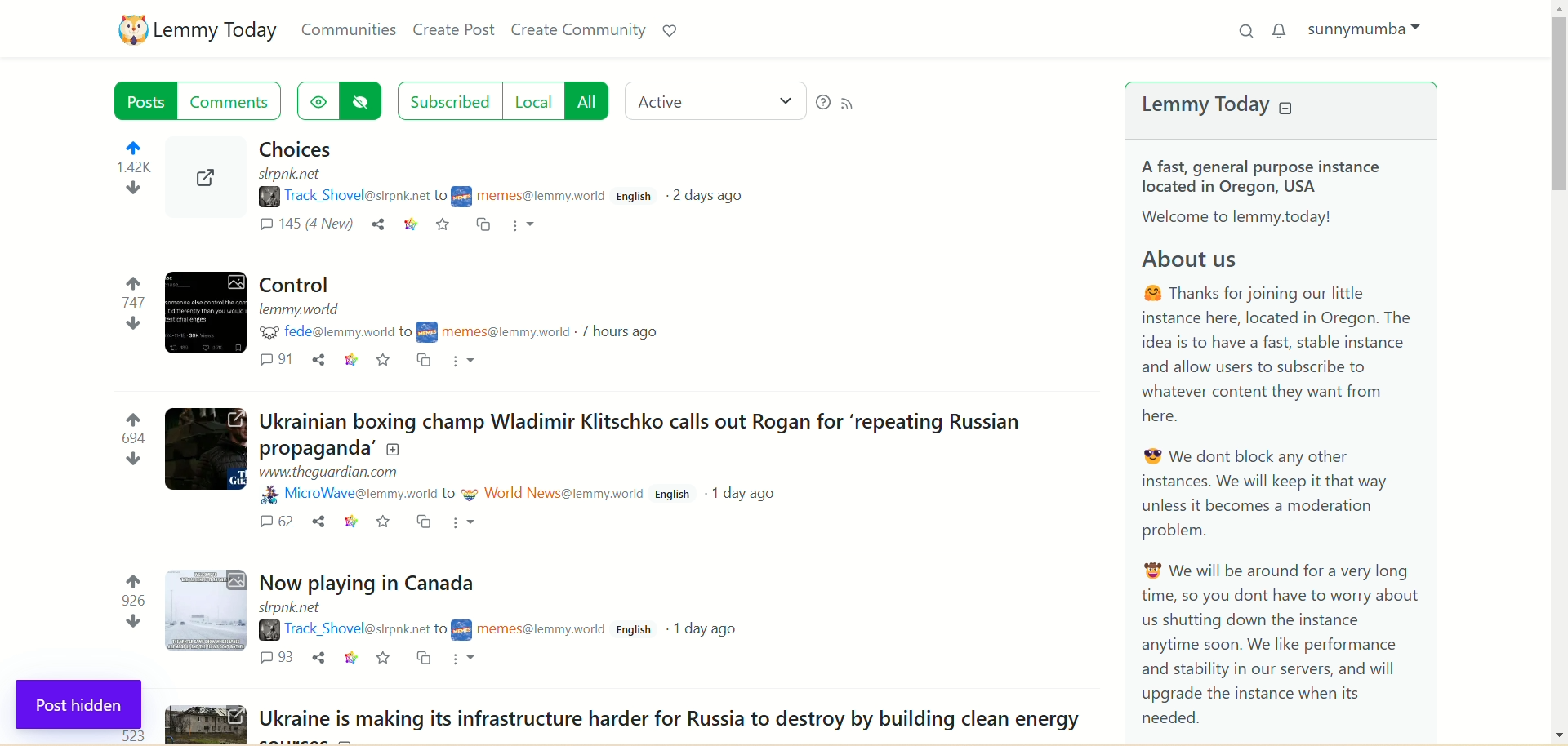 The height and width of the screenshot is (746, 1568). I want to click on 1 day ago(post date), so click(750, 495).